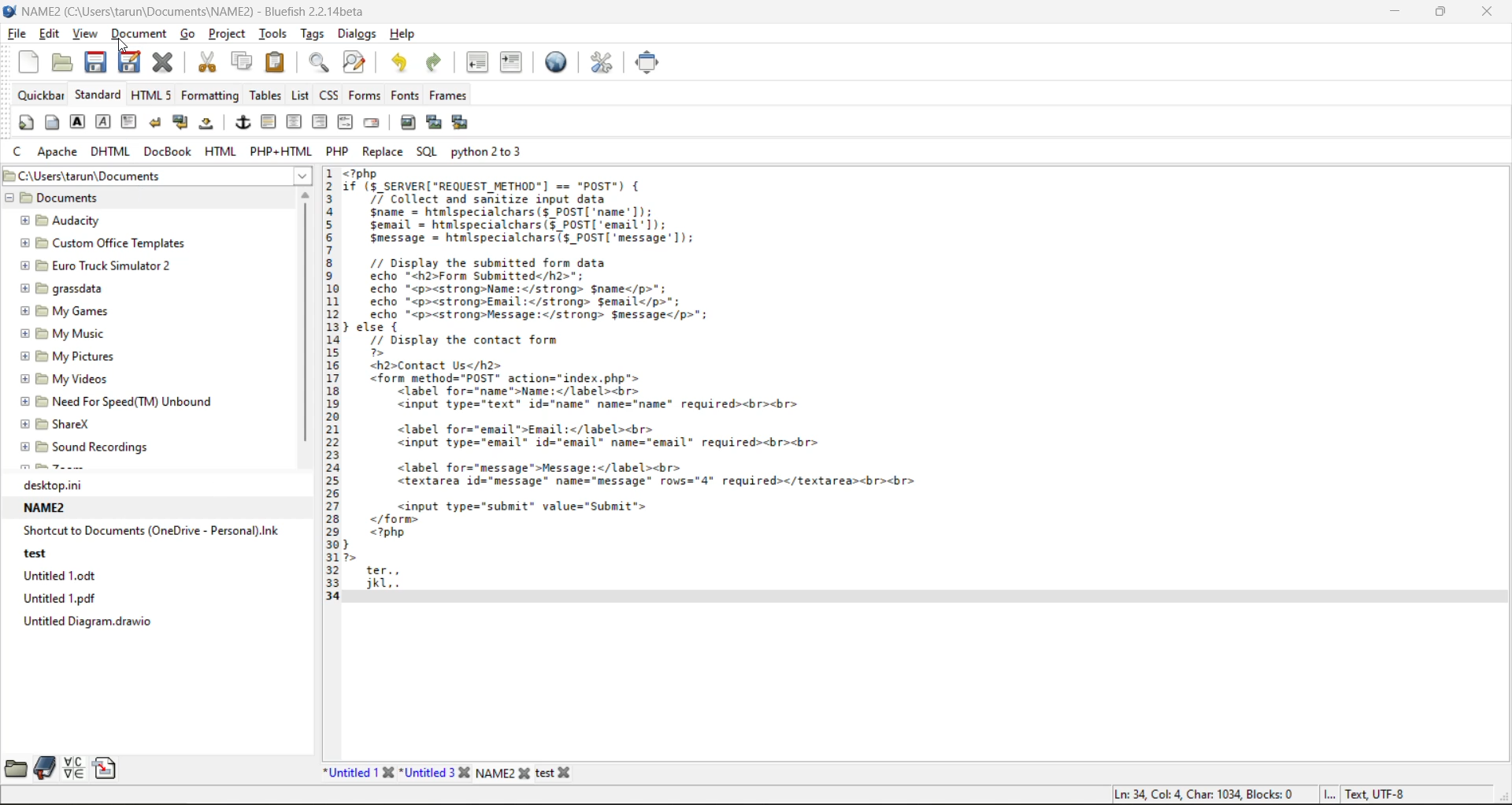 The width and height of the screenshot is (1512, 805). What do you see at coordinates (211, 127) in the screenshot?
I see `non breaking space` at bounding box center [211, 127].